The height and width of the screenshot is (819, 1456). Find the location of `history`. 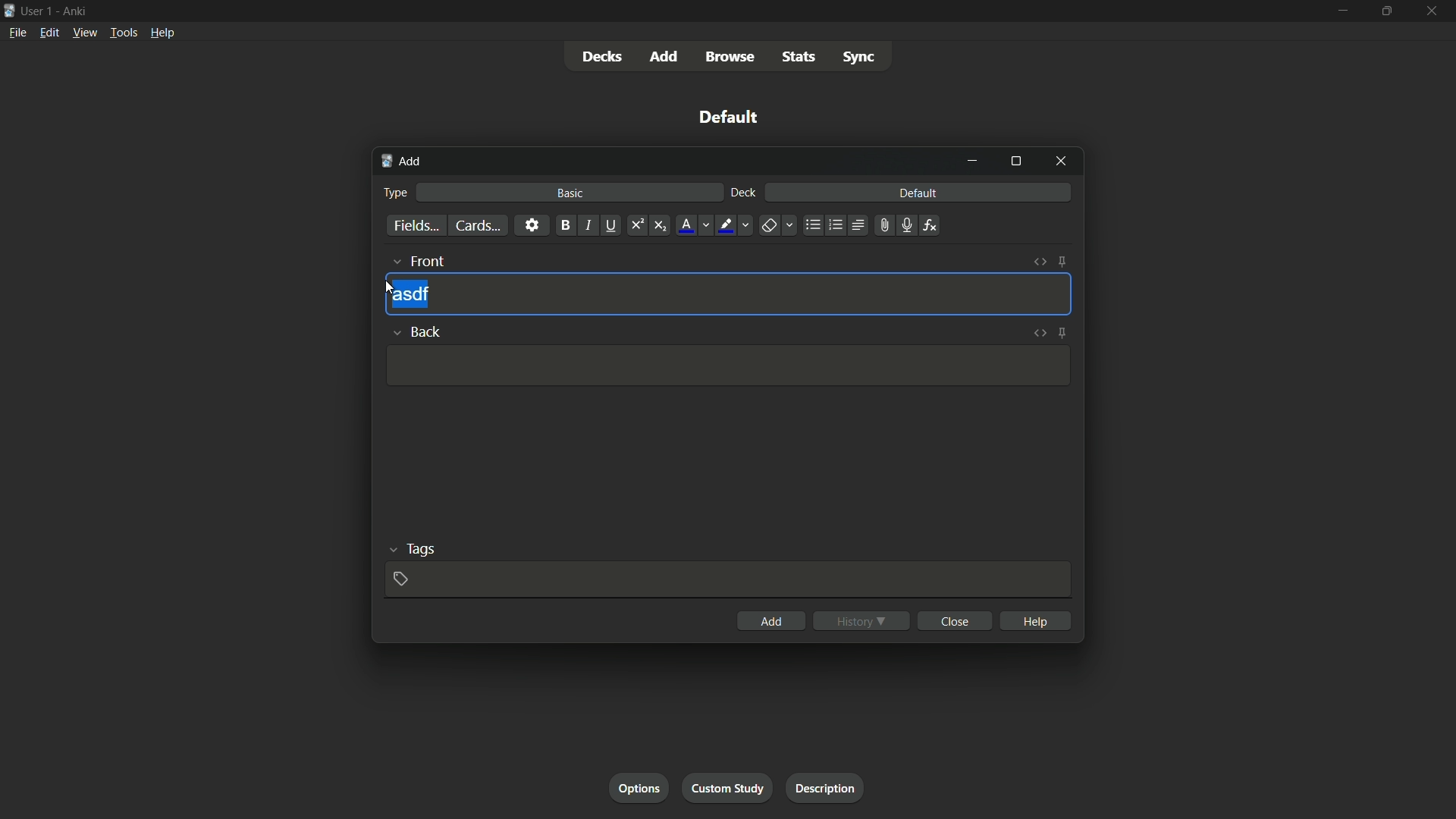

history is located at coordinates (862, 620).